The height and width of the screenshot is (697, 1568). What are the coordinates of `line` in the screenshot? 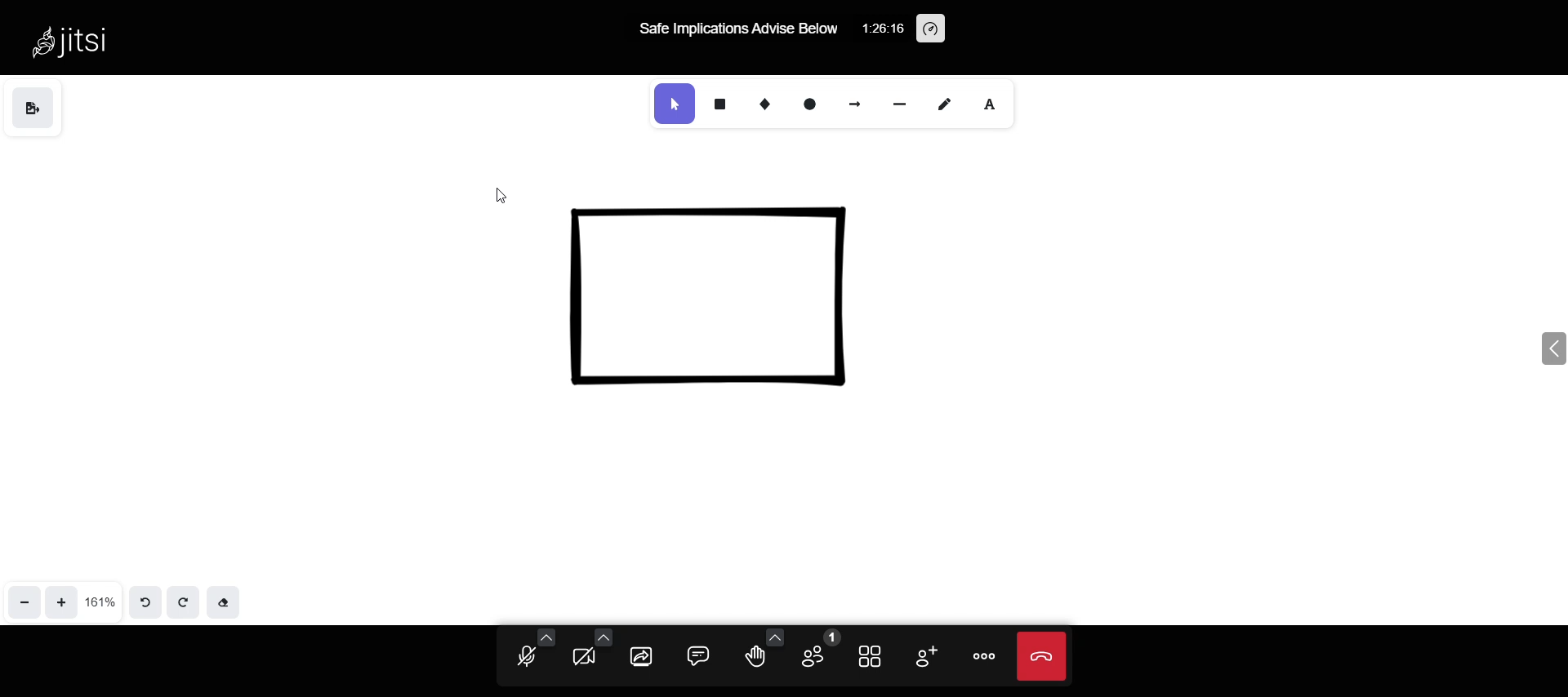 It's located at (900, 104).